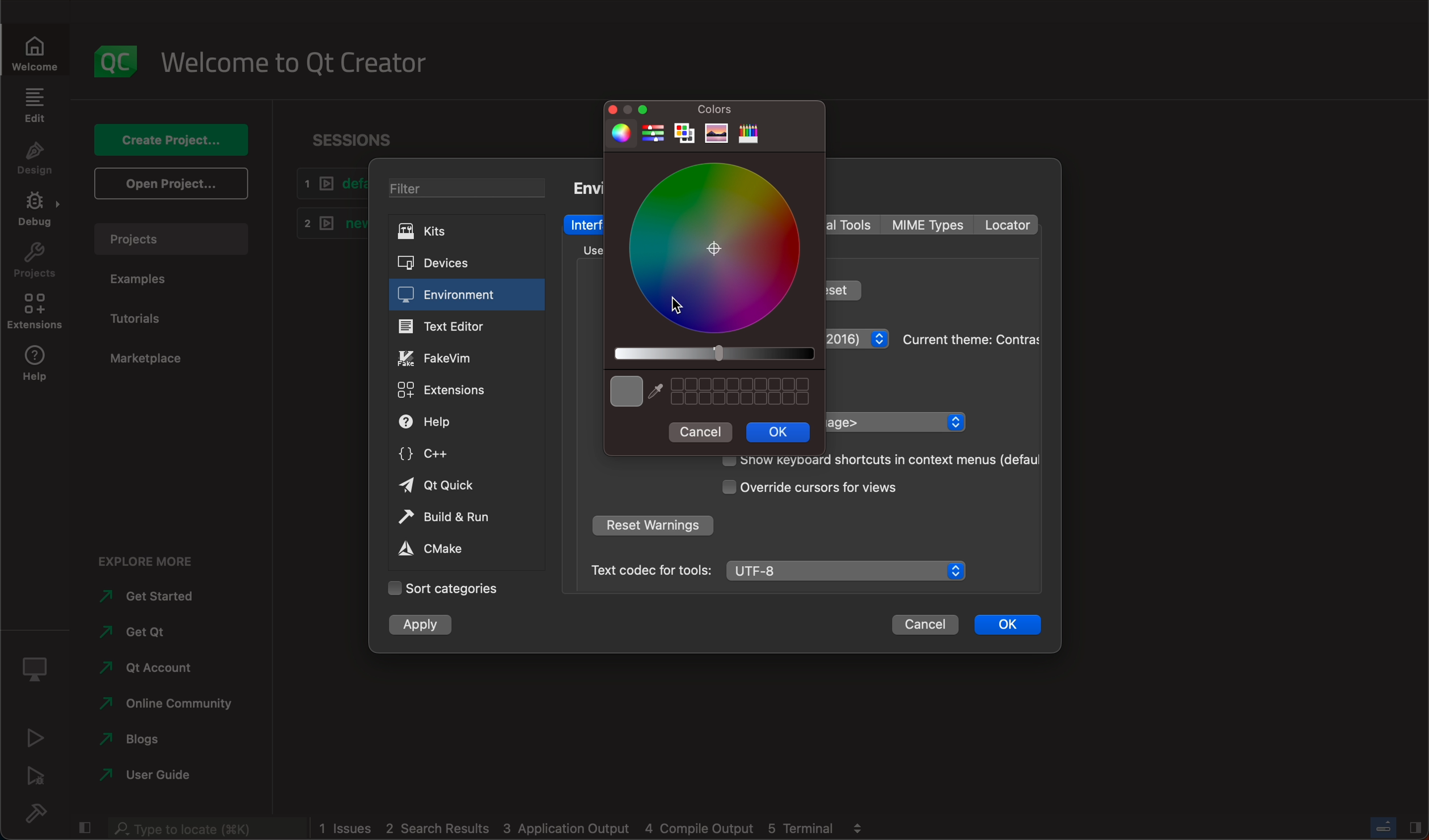  Describe the element at coordinates (170, 135) in the screenshot. I see `create` at that location.